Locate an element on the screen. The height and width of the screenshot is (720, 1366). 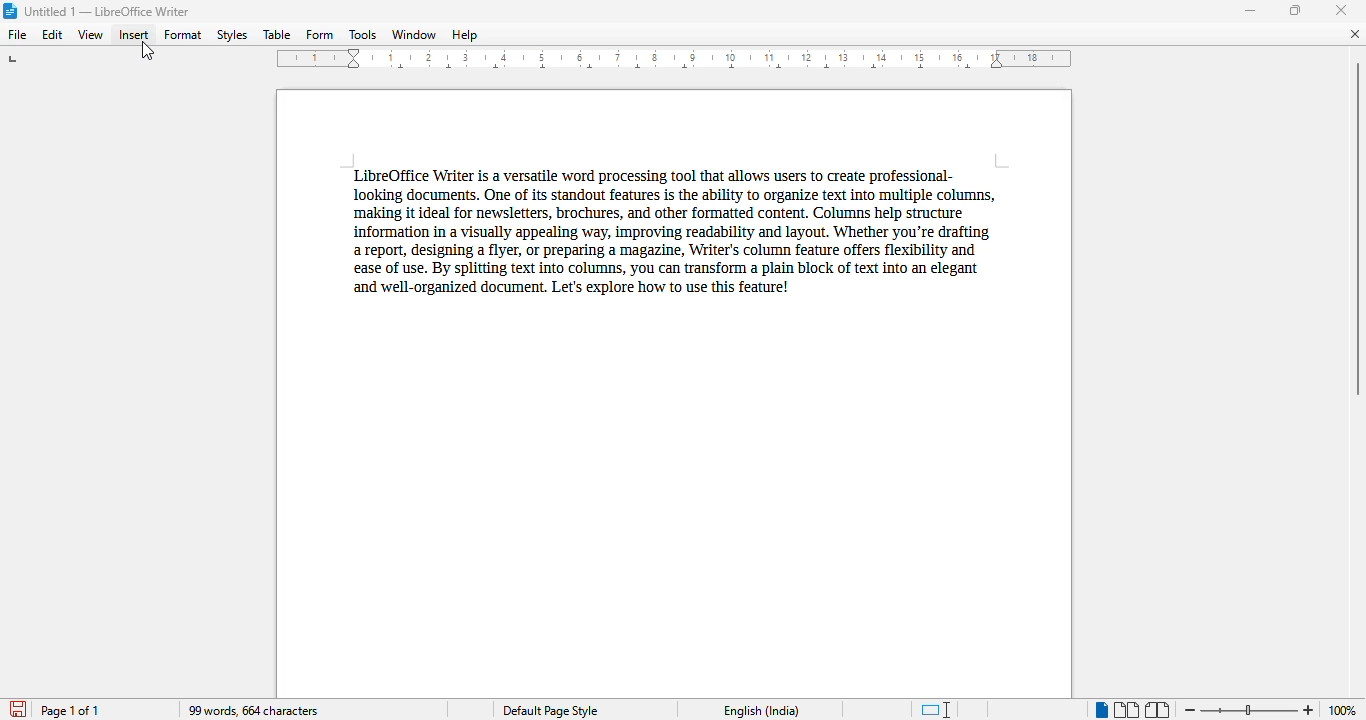
change zoom level is located at coordinates (1247, 708).